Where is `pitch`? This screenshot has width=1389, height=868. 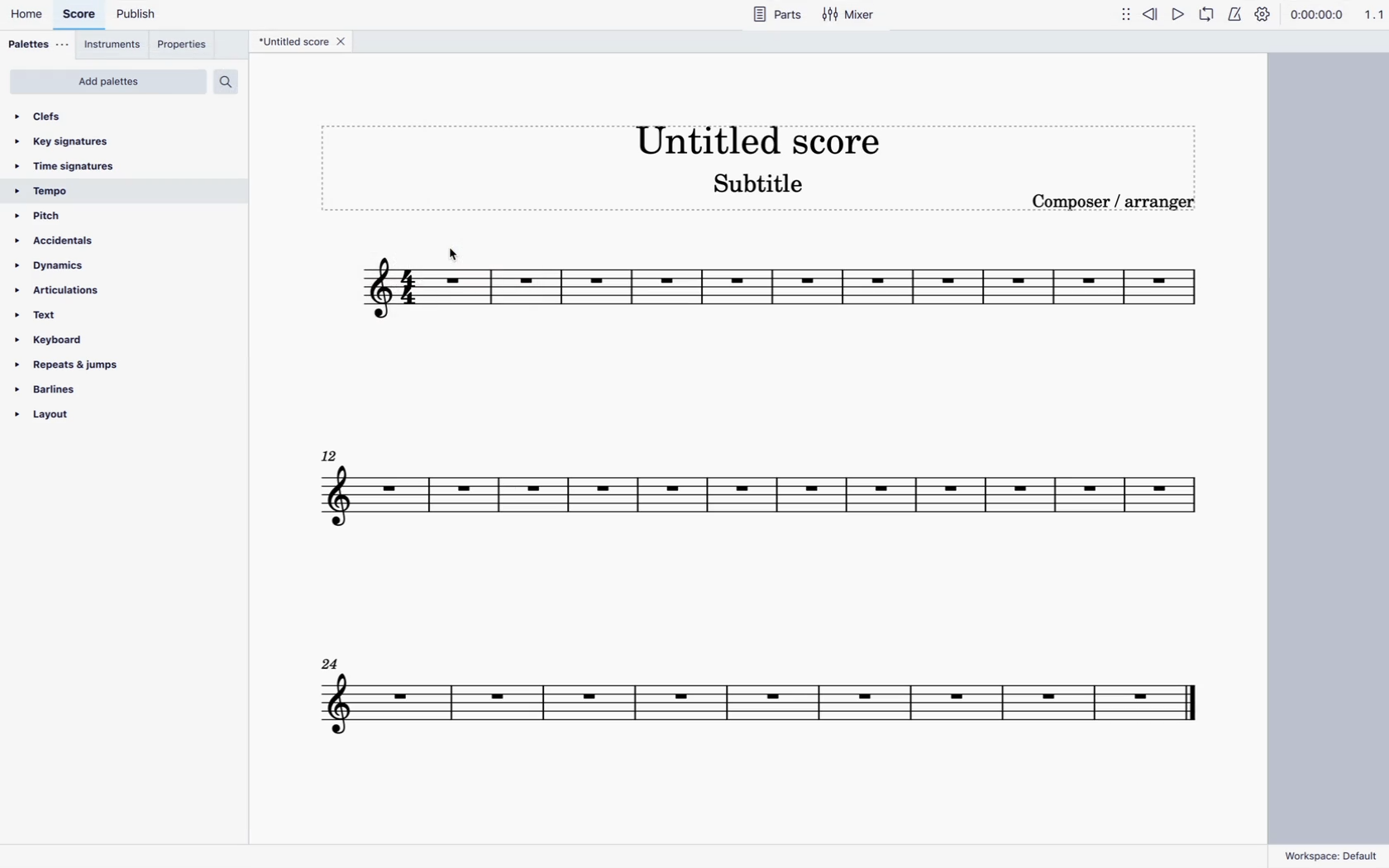
pitch is located at coordinates (49, 217).